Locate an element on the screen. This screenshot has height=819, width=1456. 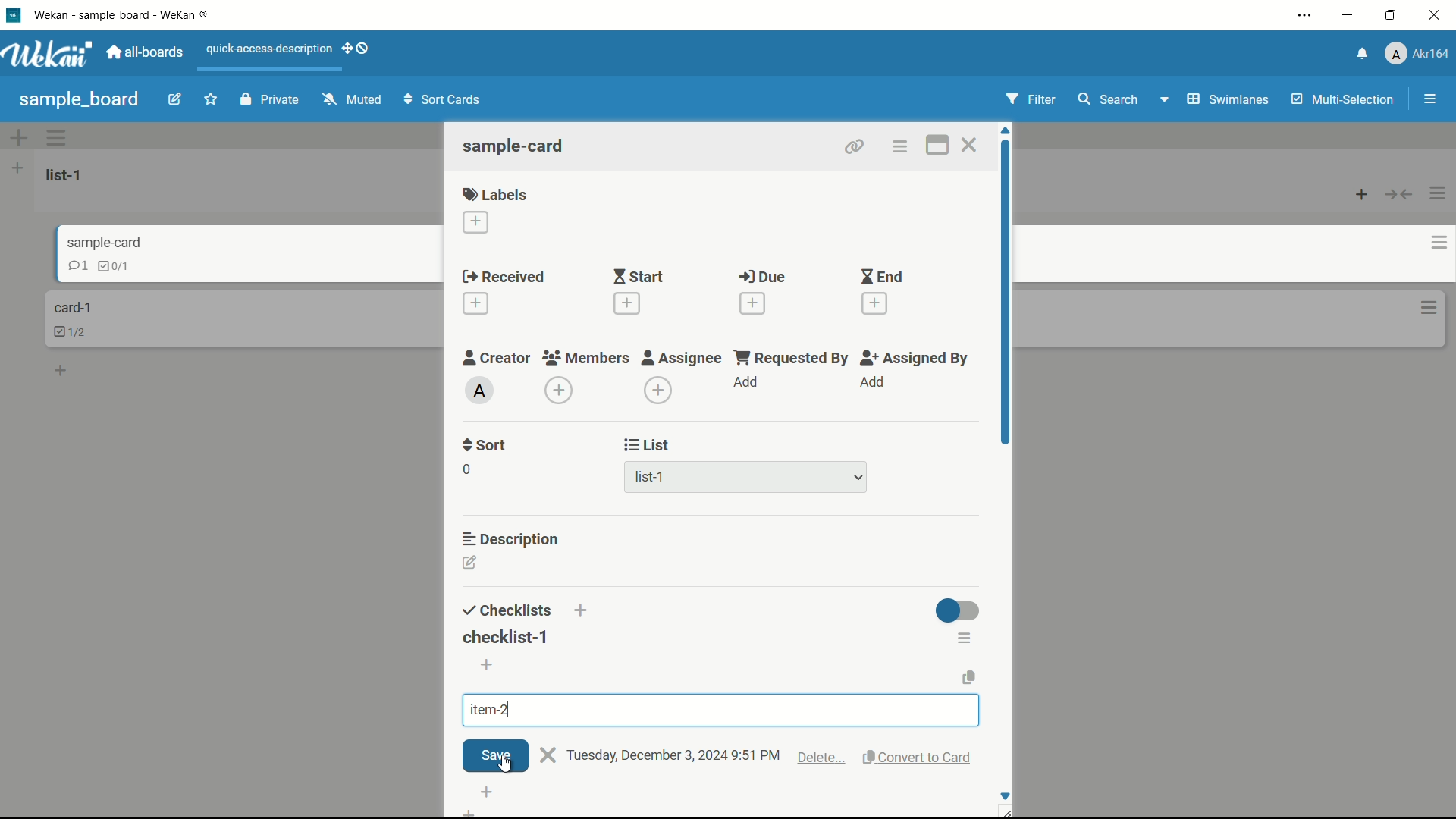
checklist is located at coordinates (108, 265).